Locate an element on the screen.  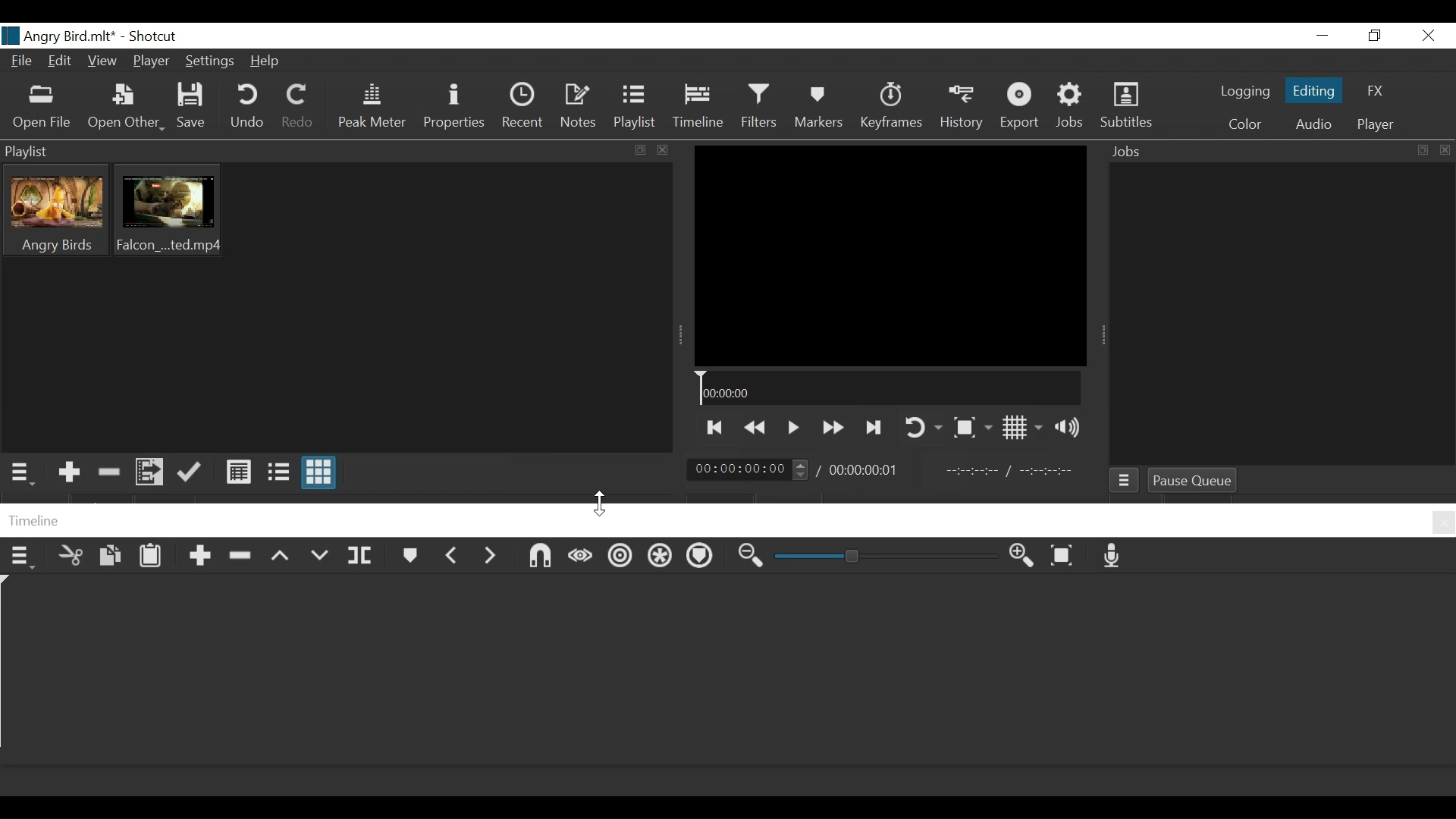
View as File is located at coordinates (279, 472).